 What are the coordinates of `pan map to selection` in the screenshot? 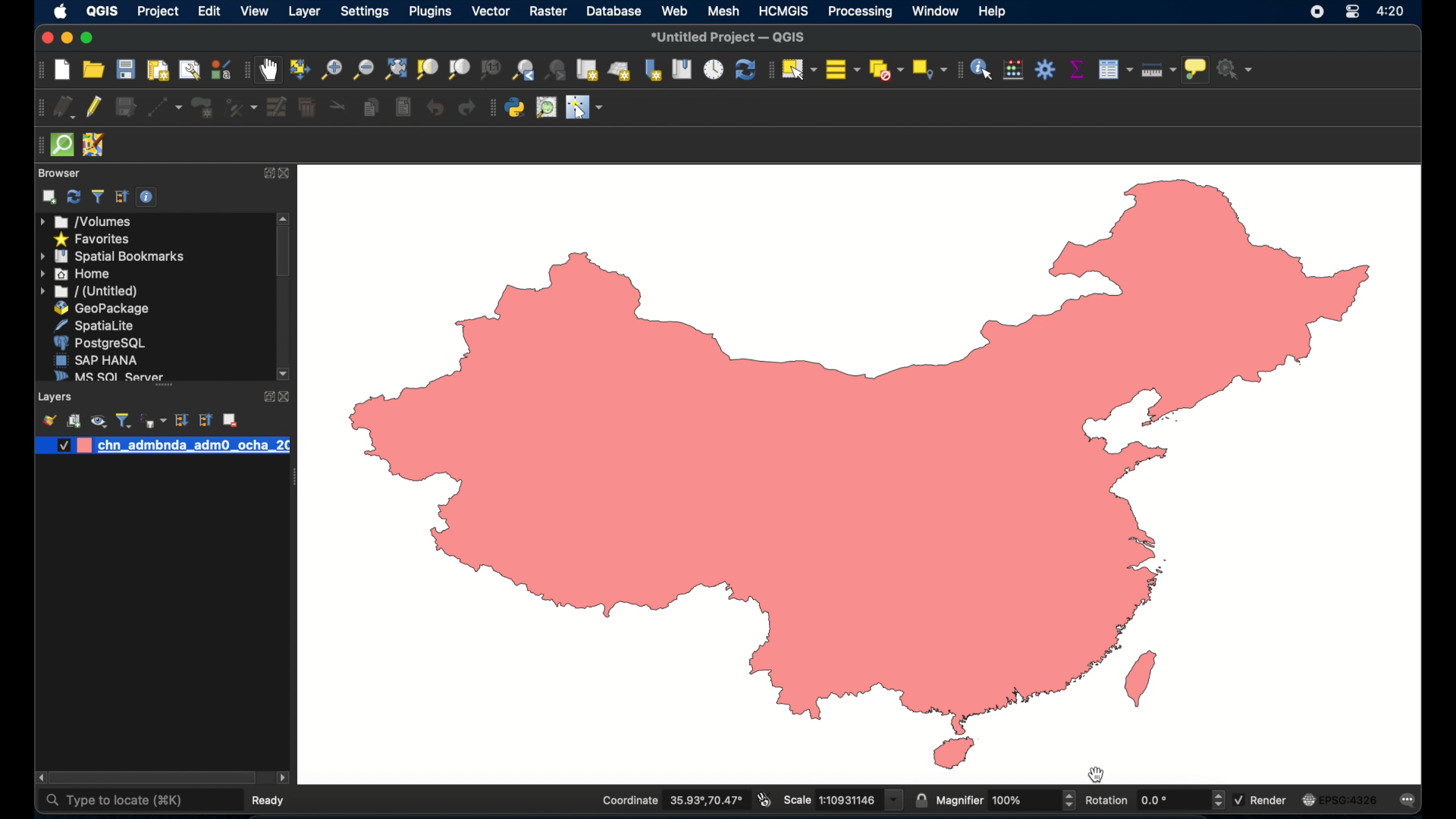 It's located at (297, 67).